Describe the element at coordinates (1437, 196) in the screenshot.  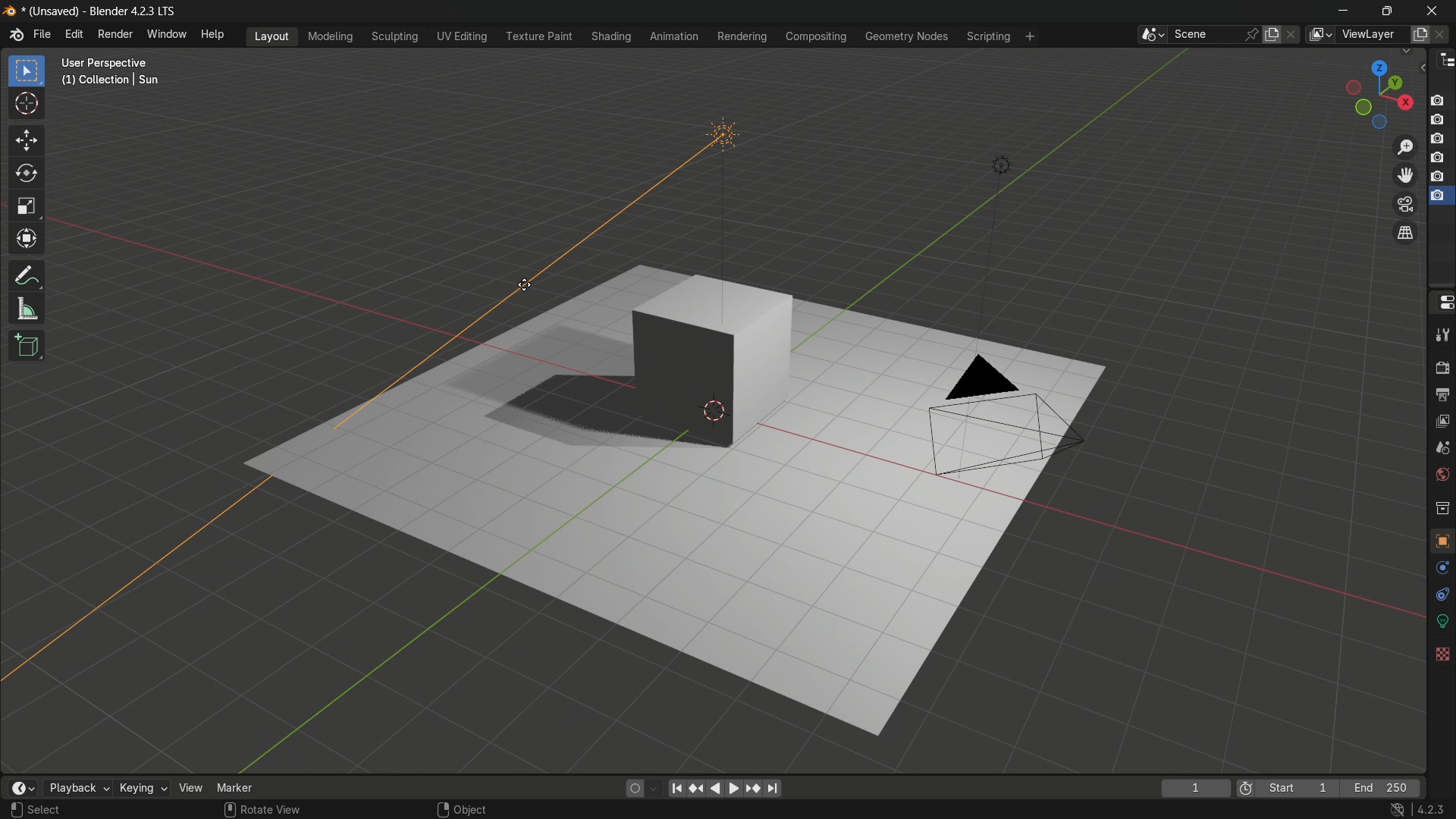
I see `layer 6` at that location.